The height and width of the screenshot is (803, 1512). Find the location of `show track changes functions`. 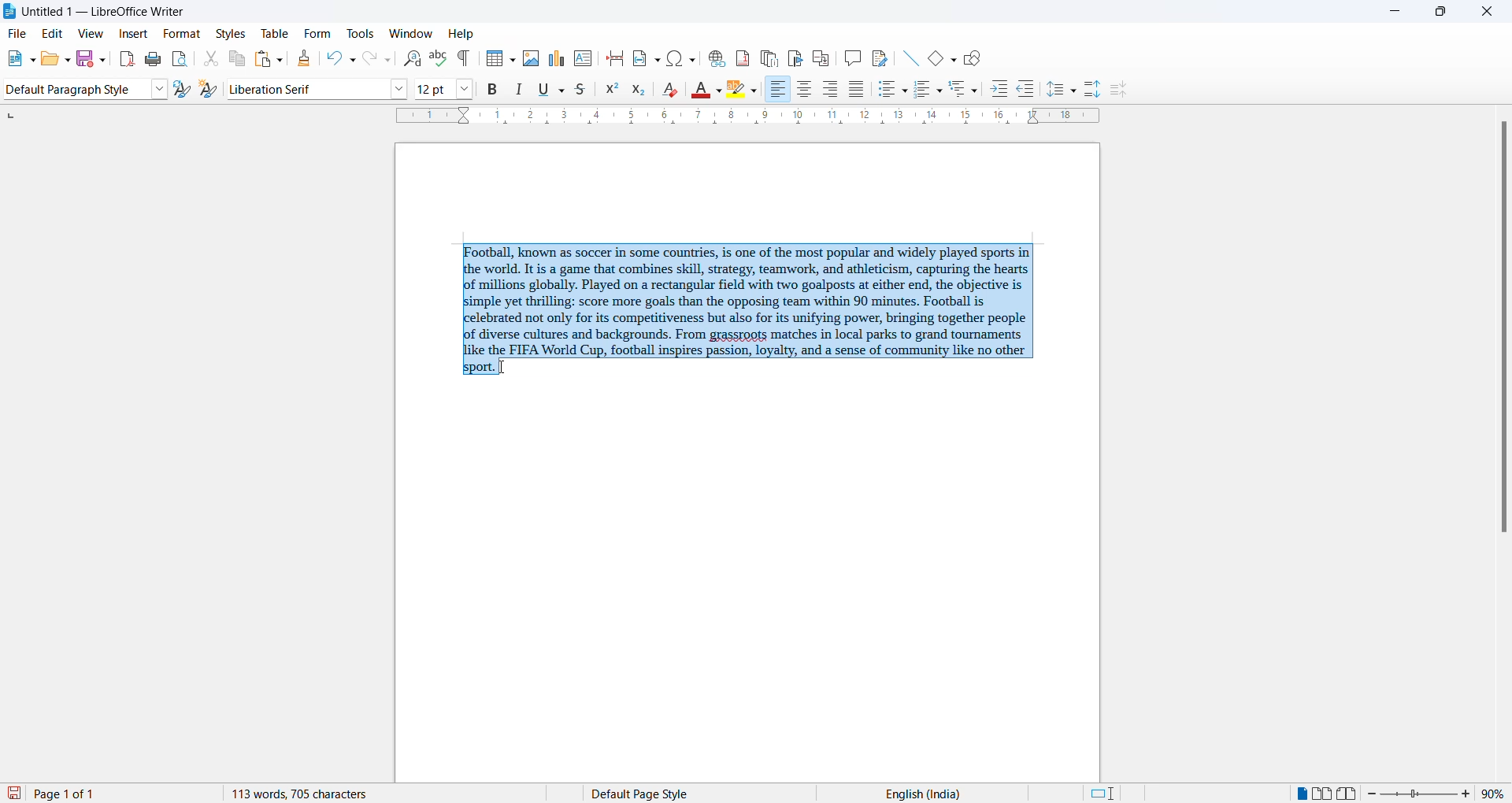

show track changes functions is located at coordinates (880, 58).